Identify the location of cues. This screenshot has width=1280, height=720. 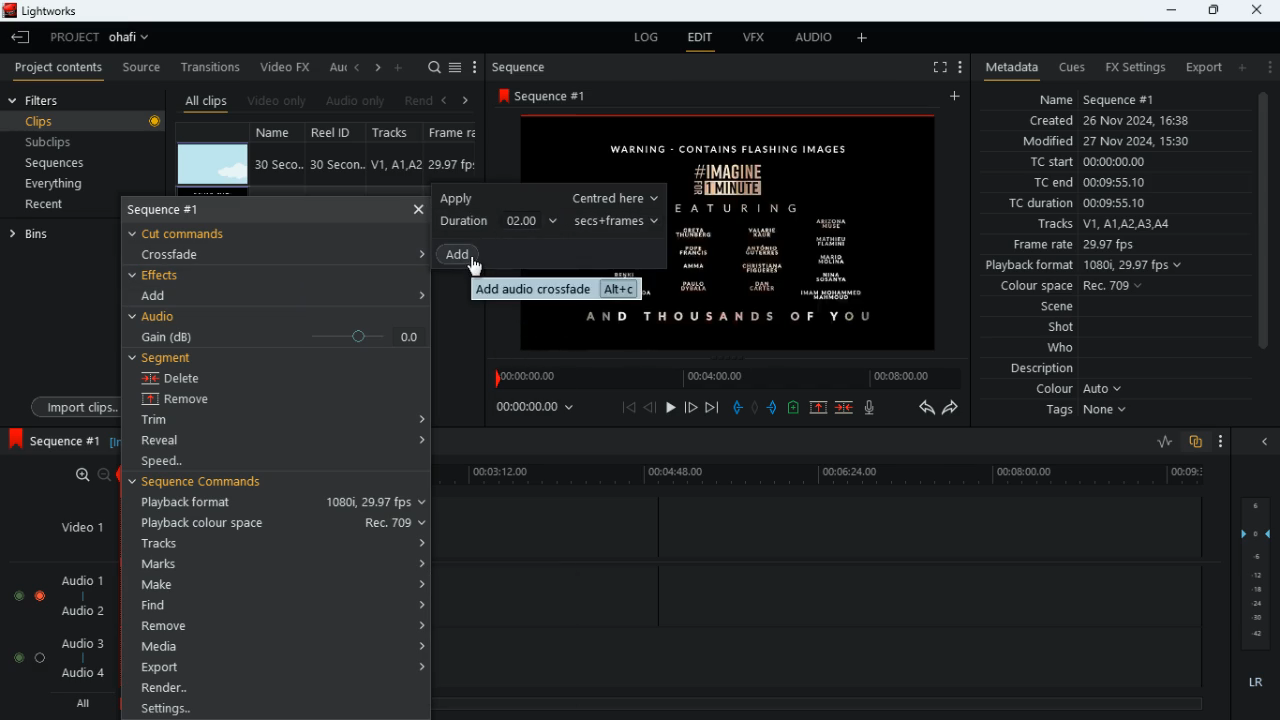
(1072, 67).